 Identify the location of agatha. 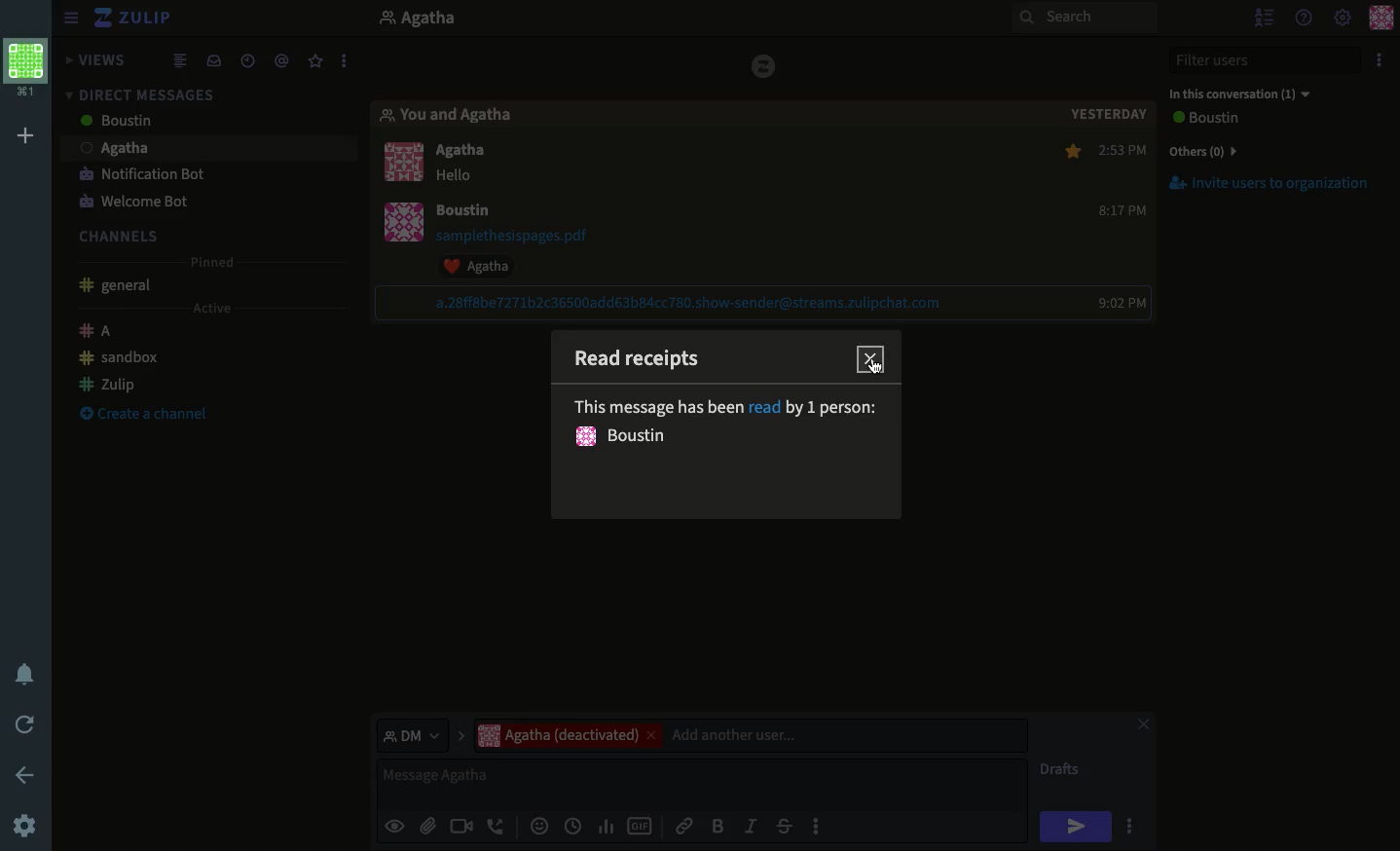
(198, 150).